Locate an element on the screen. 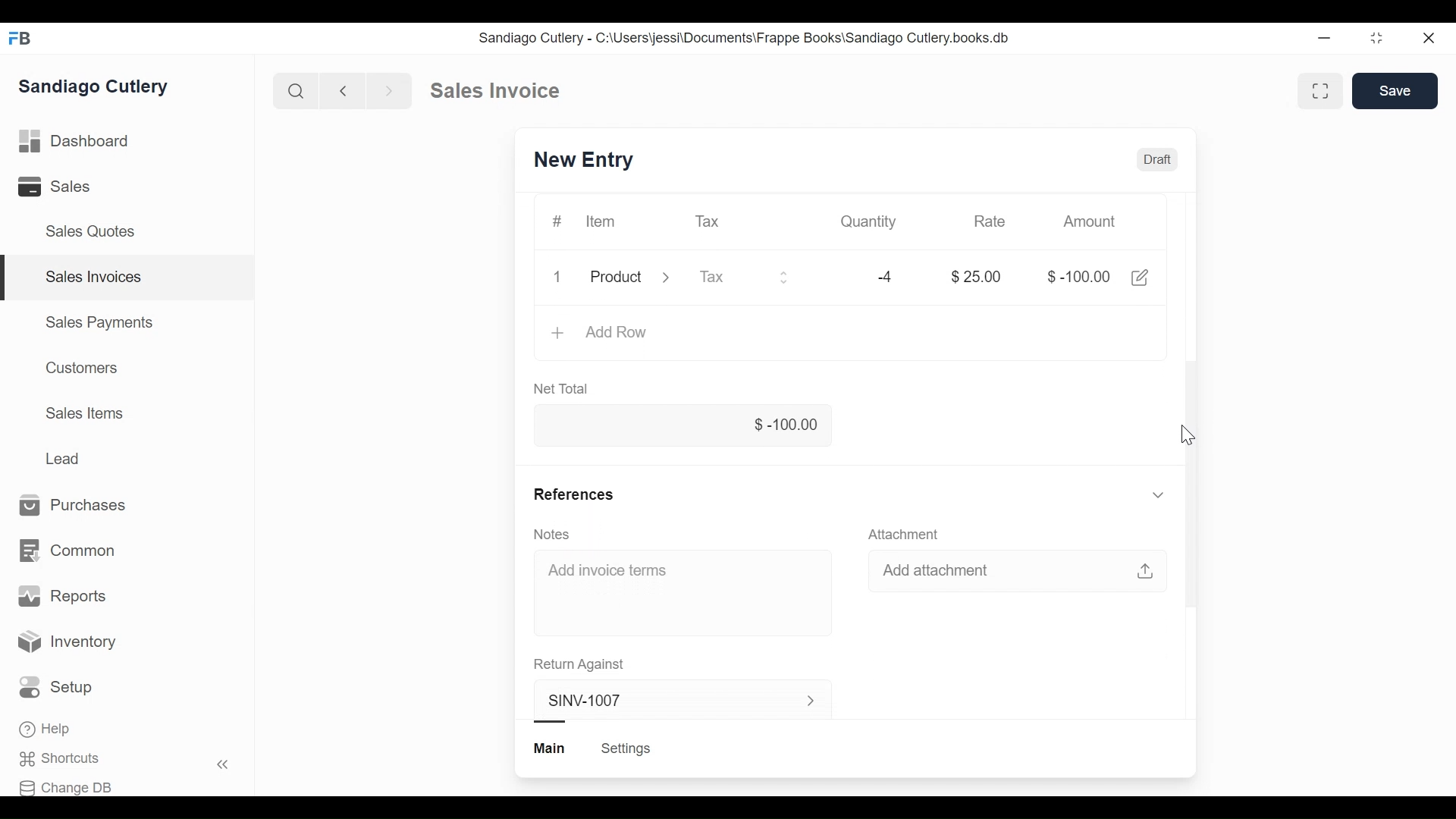 The image size is (1456, 819). FB is located at coordinates (23, 39).